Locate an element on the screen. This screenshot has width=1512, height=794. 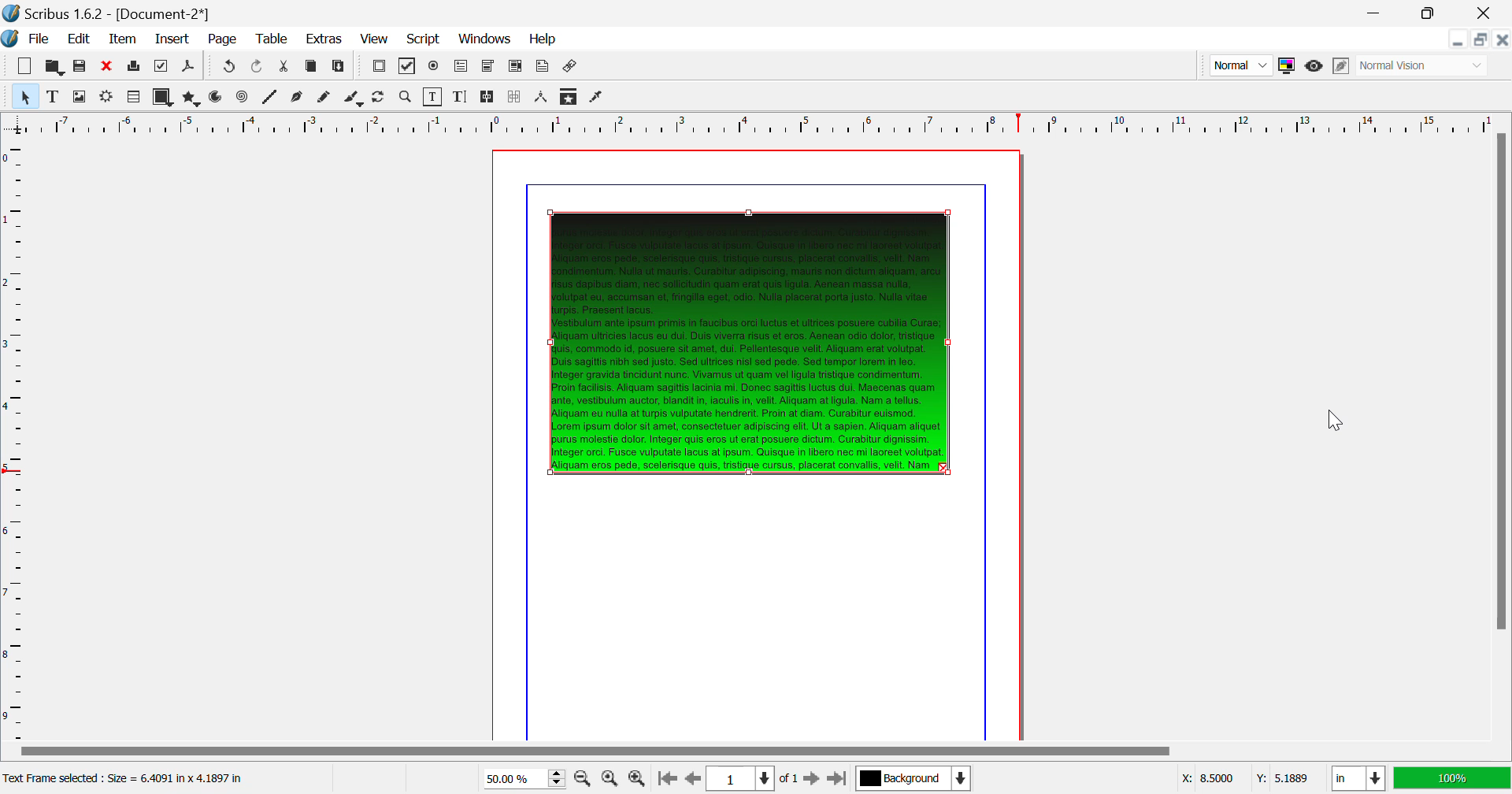
Item is located at coordinates (124, 39).